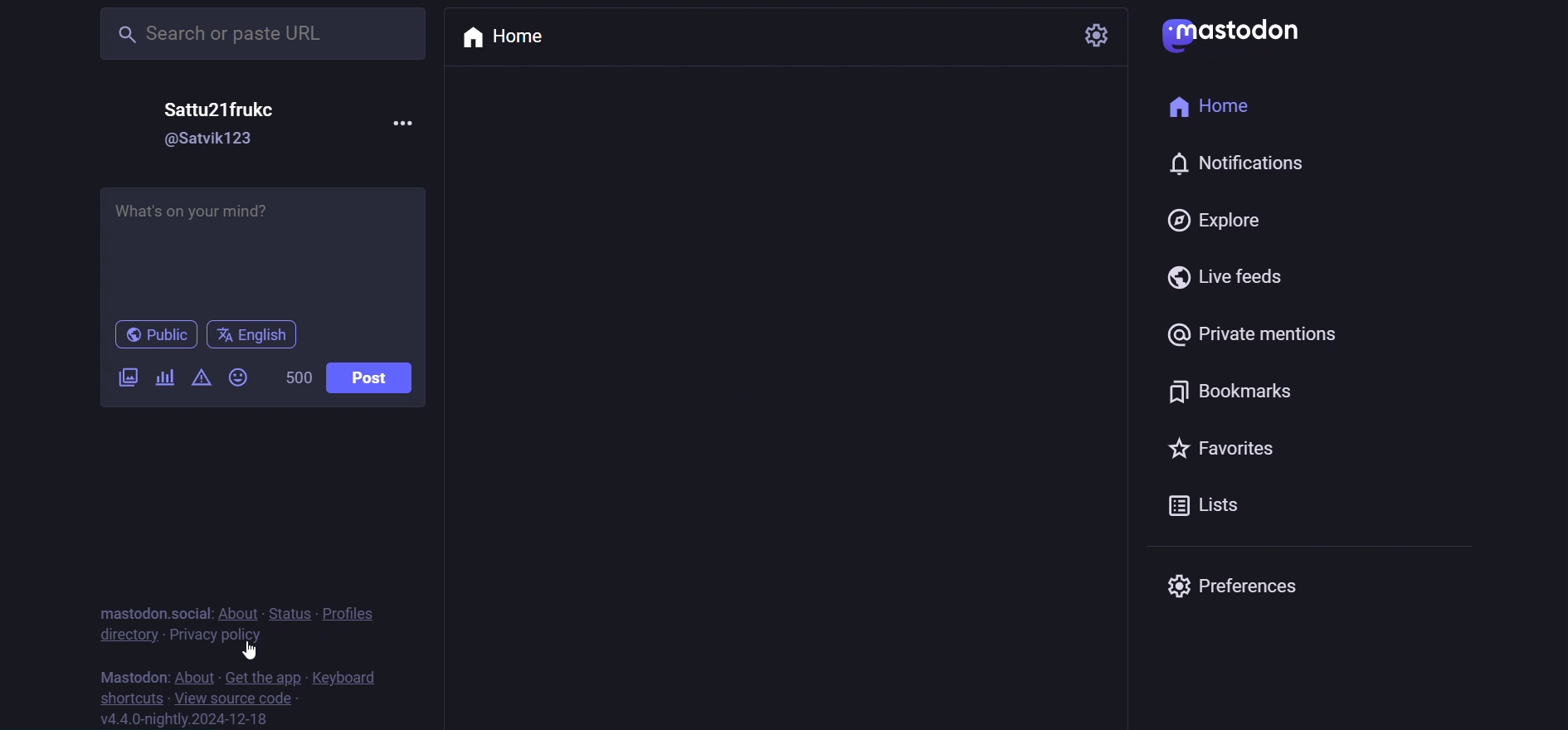 The height and width of the screenshot is (730, 1568). What do you see at coordinates (400, 126) in the screenshot?
I see `more` at bounding box center [400, 126].